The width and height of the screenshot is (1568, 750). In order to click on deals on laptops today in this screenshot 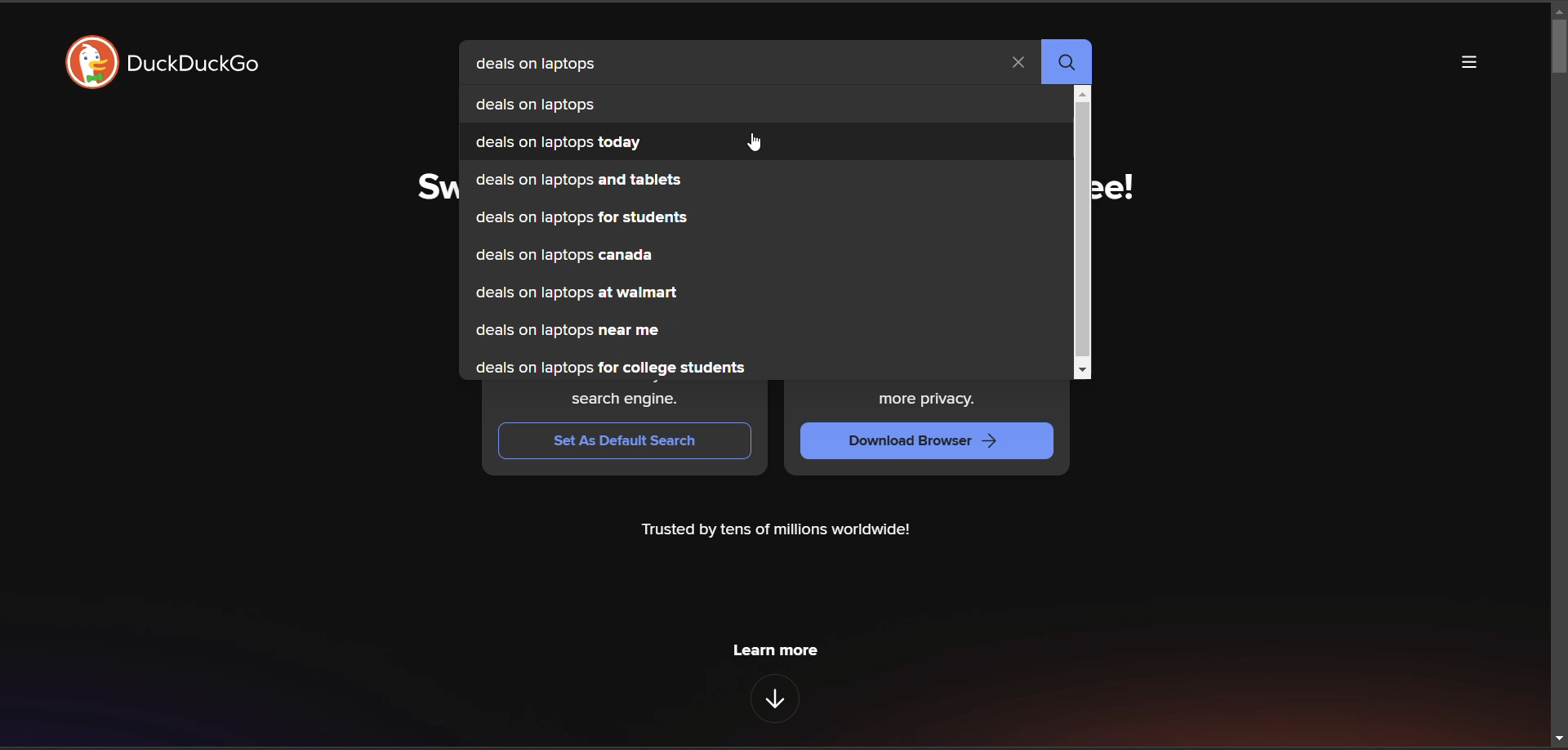, I will do `click(561, 144)`.